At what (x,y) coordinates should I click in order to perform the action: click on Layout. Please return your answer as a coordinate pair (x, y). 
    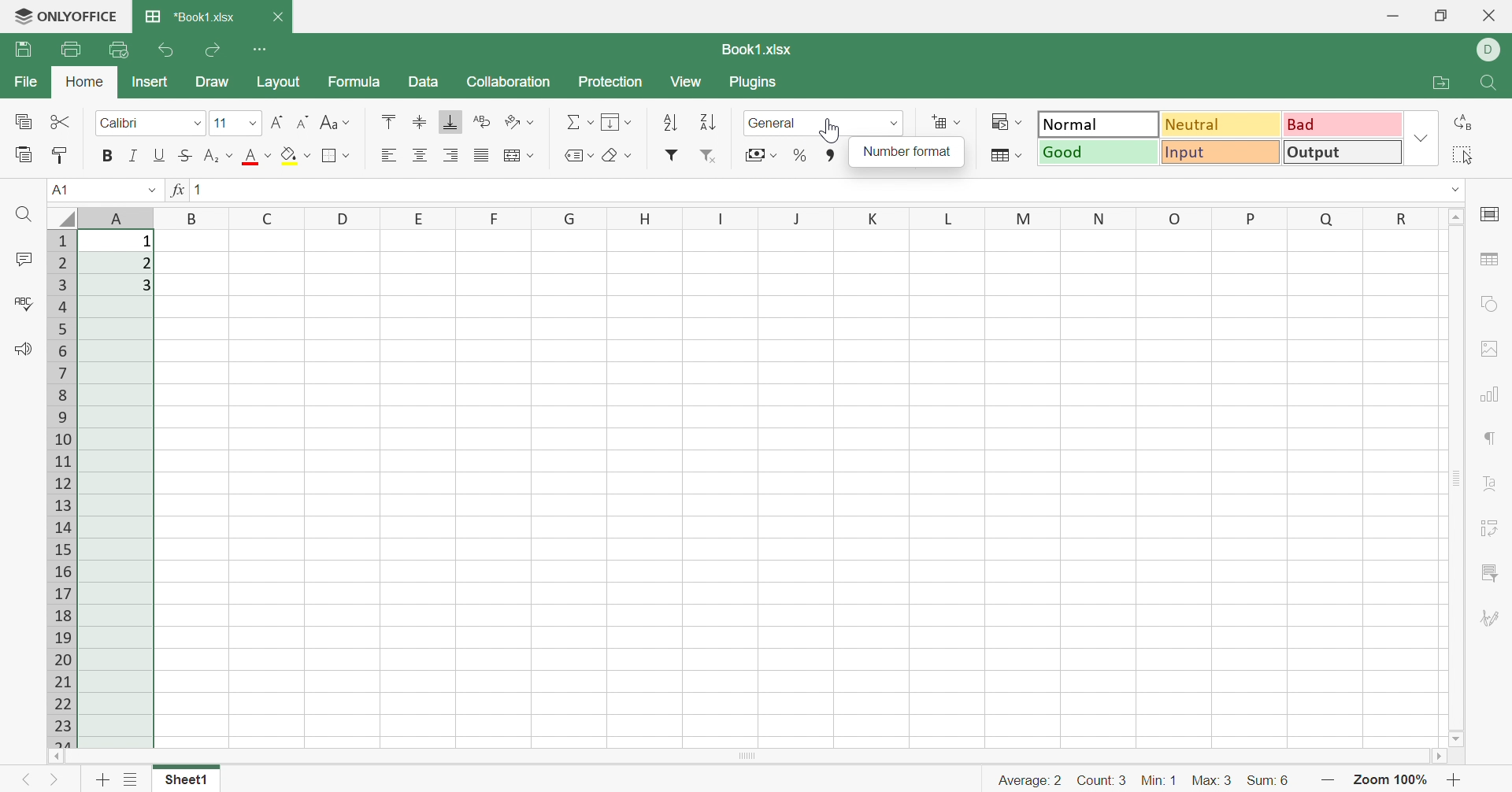
    Looking at the image, I should click on (279, 83).